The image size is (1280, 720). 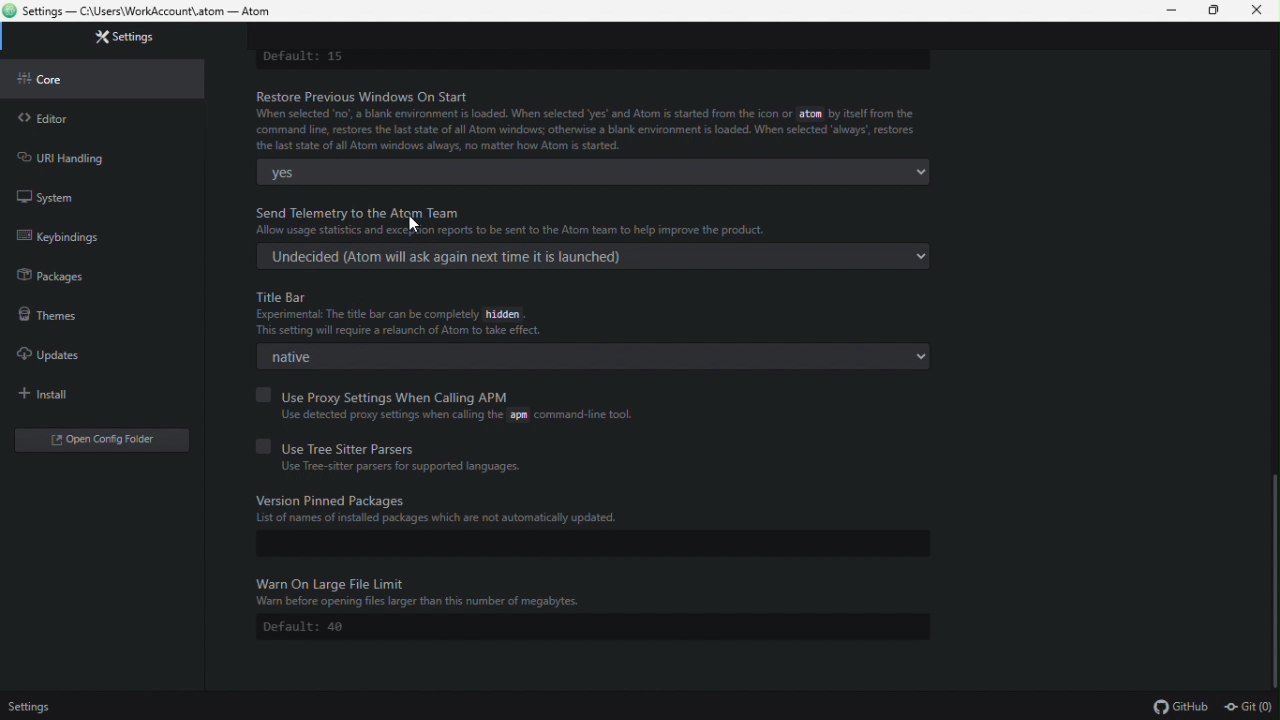 I want to click on Default: 40, so click(x=305, y=627).